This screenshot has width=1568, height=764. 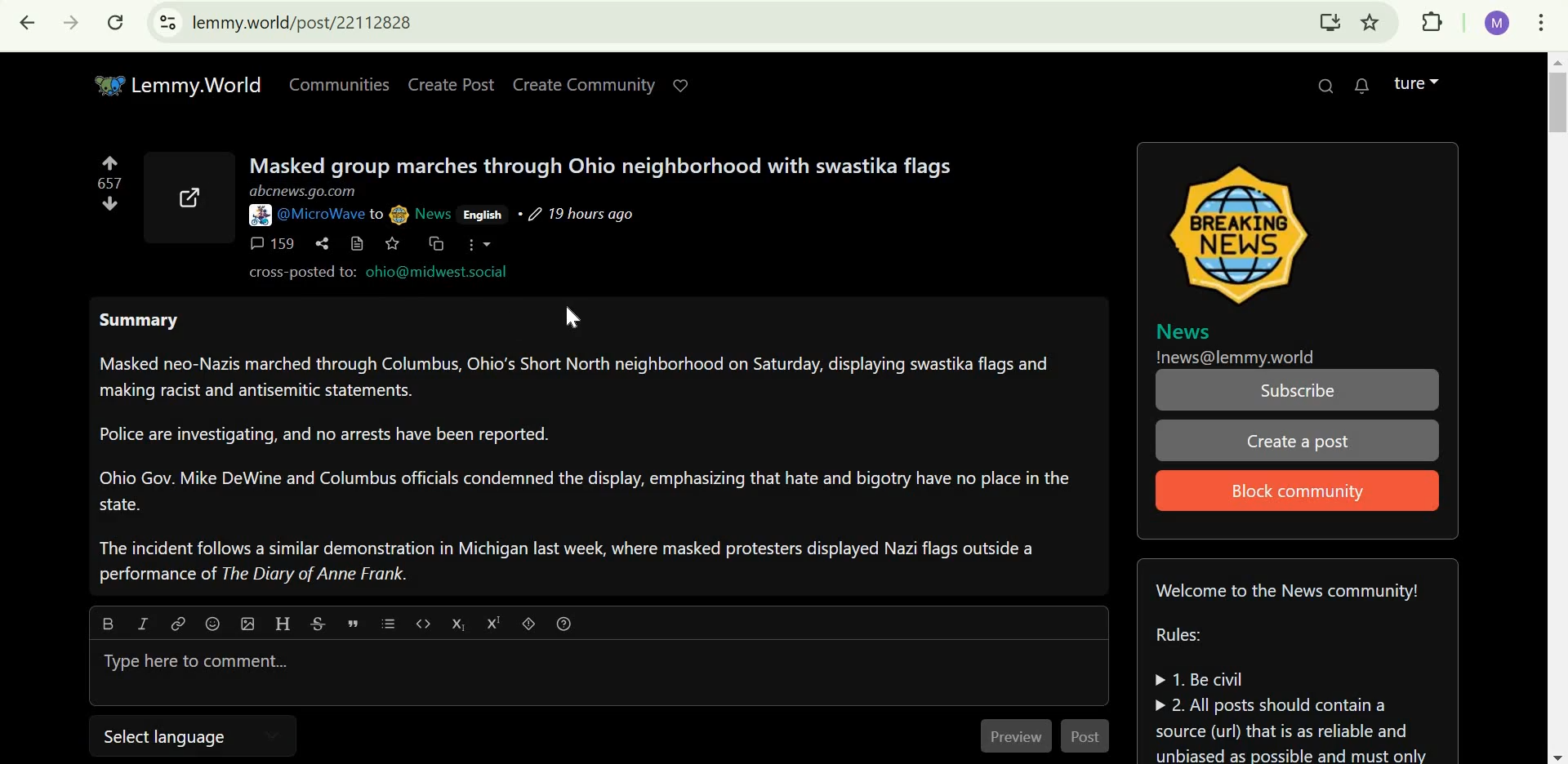 I want to click on Create a post, so click(x=1301, y=444).